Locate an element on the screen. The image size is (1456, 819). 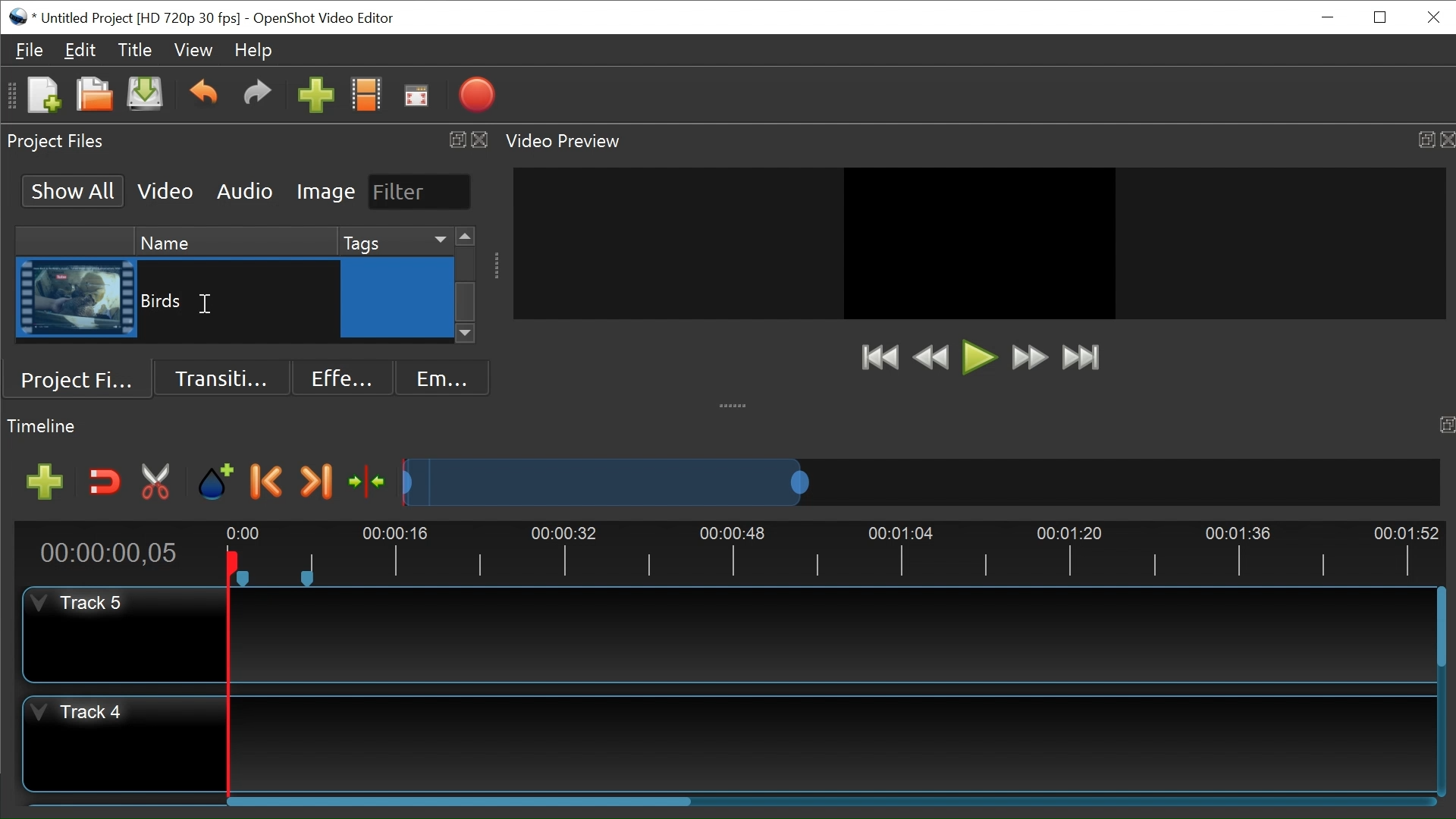
close is located at coordinates (1433, 17).